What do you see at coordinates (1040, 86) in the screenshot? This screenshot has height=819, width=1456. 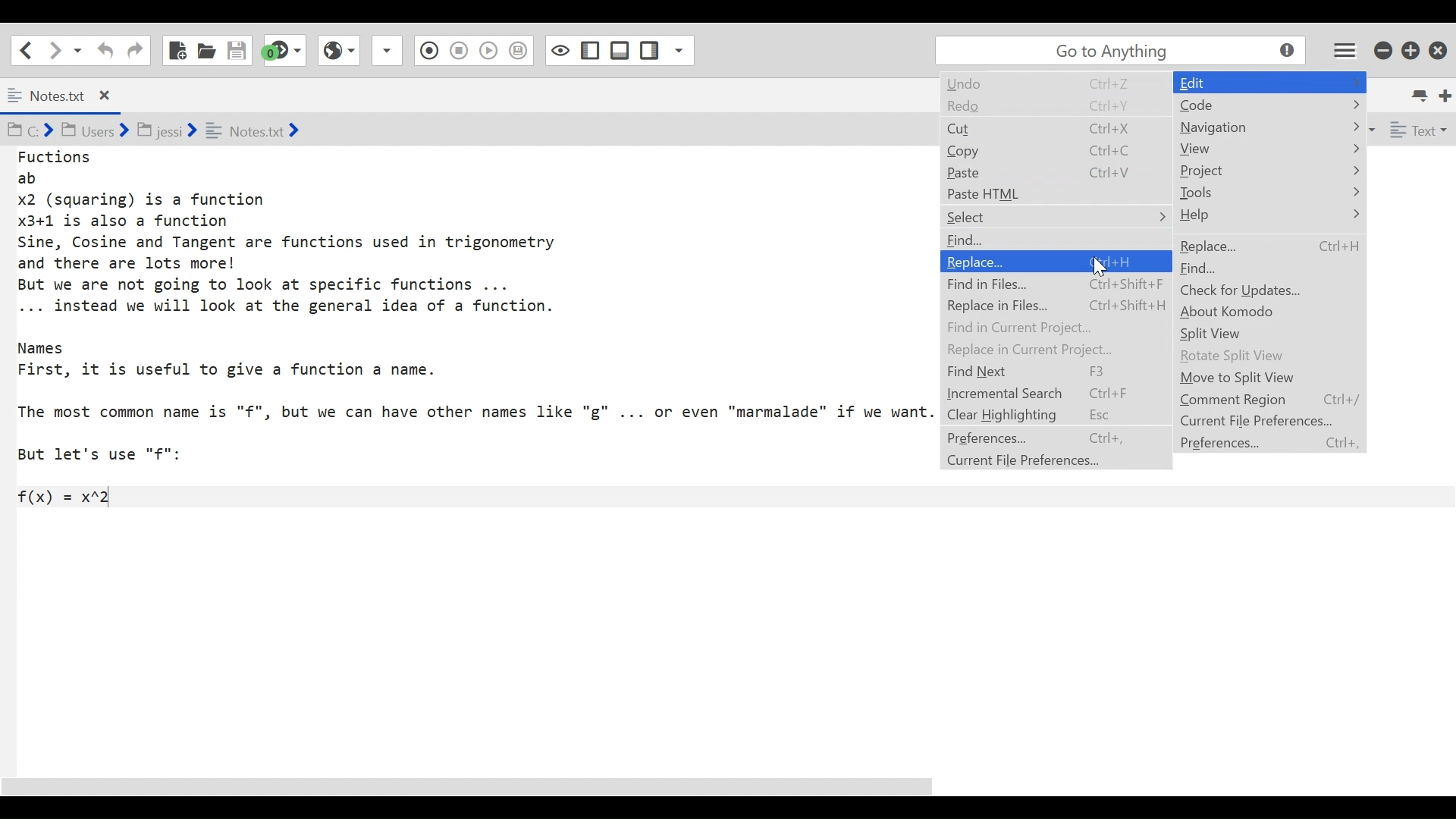 I see `Undo` at bounding box center [1040, 86].